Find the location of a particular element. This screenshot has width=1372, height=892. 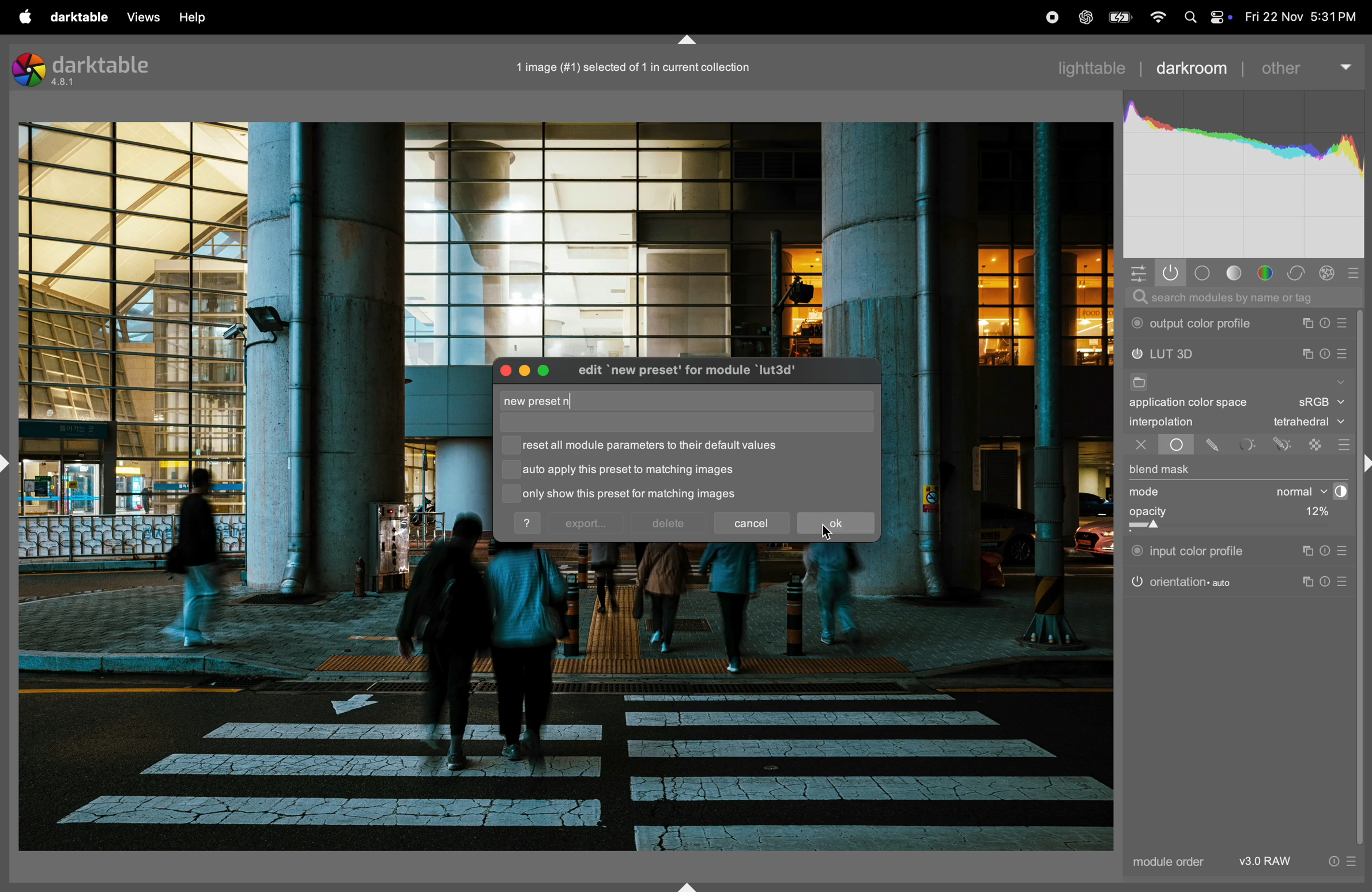

chatgpt is located at coordinates (1085, 18).